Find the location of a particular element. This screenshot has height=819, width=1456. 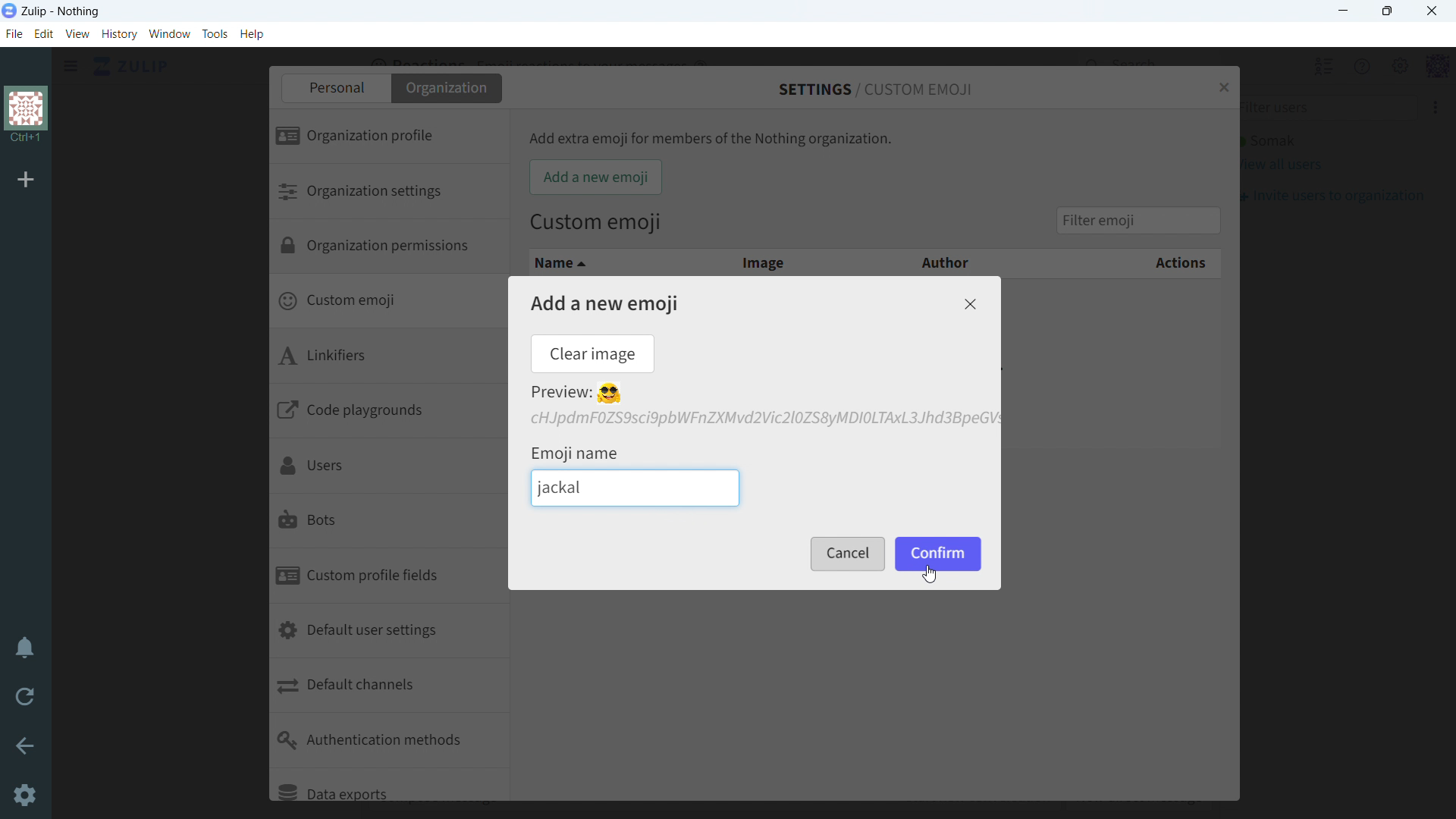

emoji name is located at coordinates (576, 451).